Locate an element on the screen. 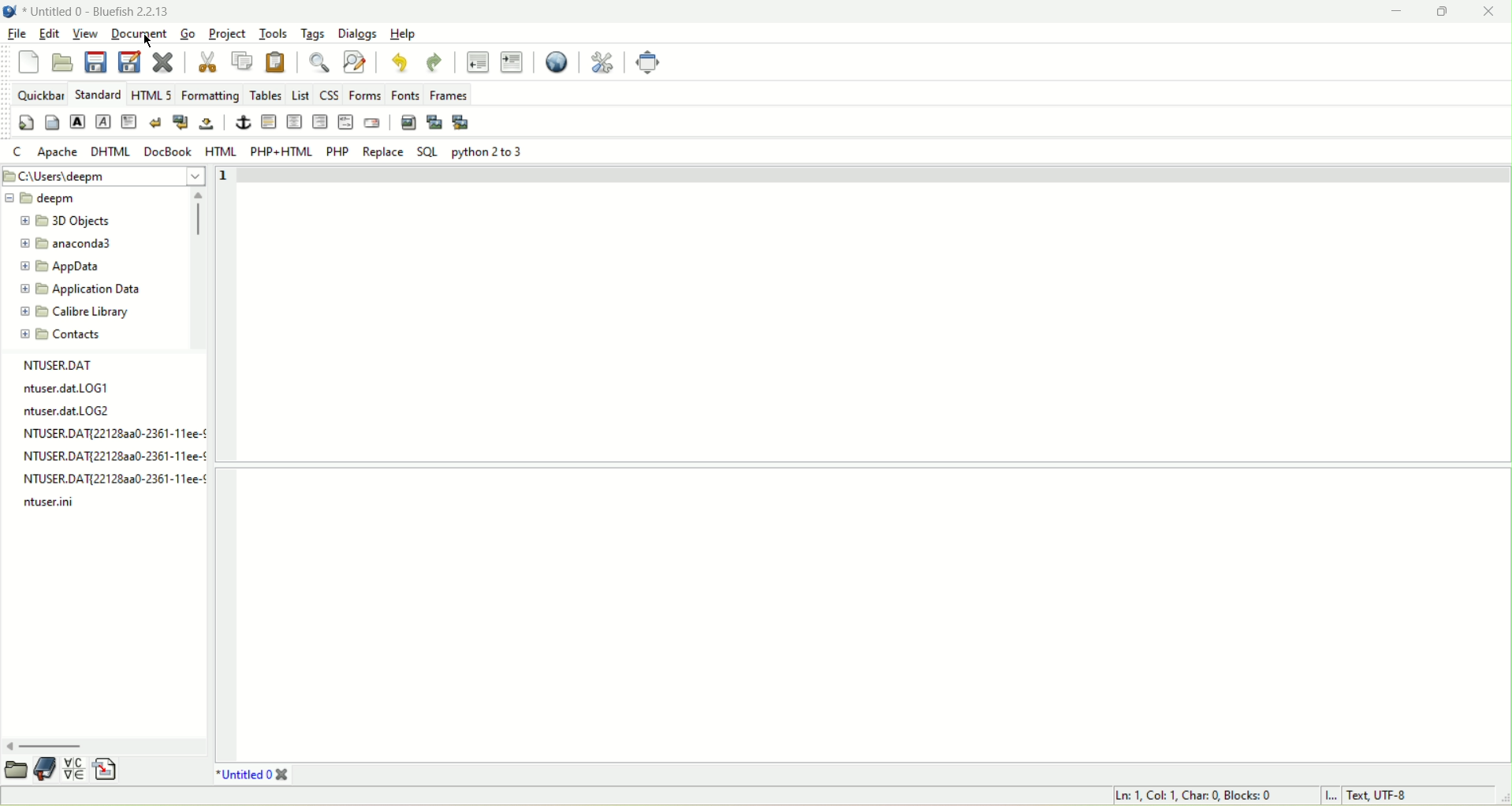 Image resolution: width=1512 pixels, height=806 pixels. document name is located at coordinates (99, 9).